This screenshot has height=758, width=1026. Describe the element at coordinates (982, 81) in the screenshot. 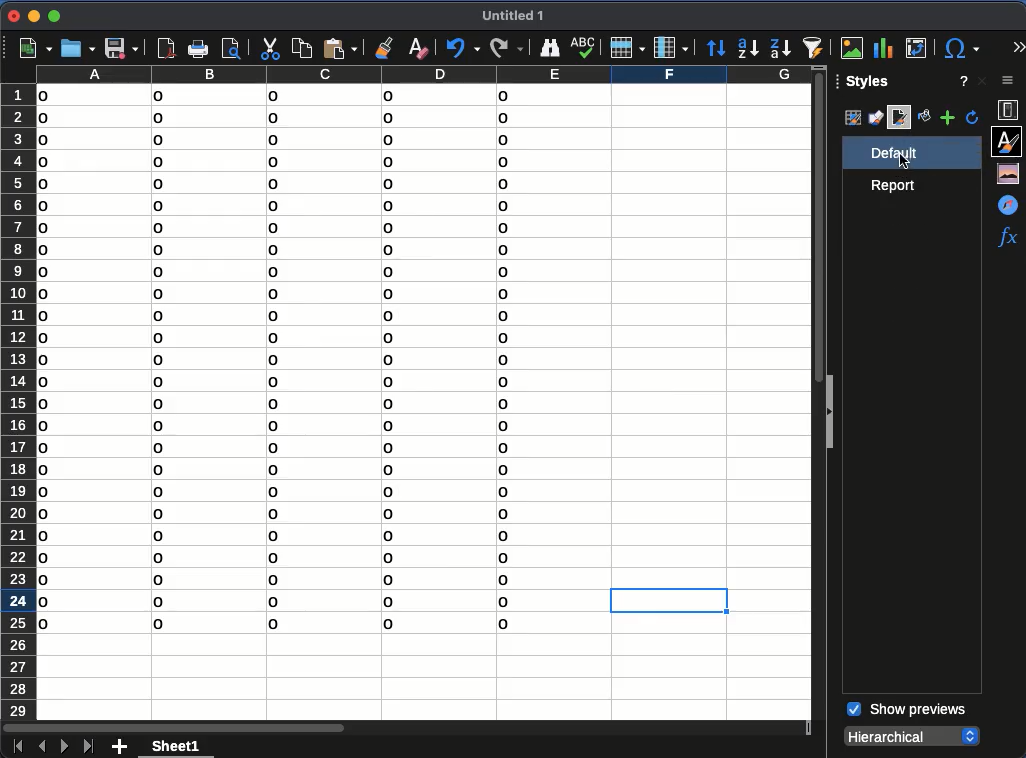

I see `close` at that location.